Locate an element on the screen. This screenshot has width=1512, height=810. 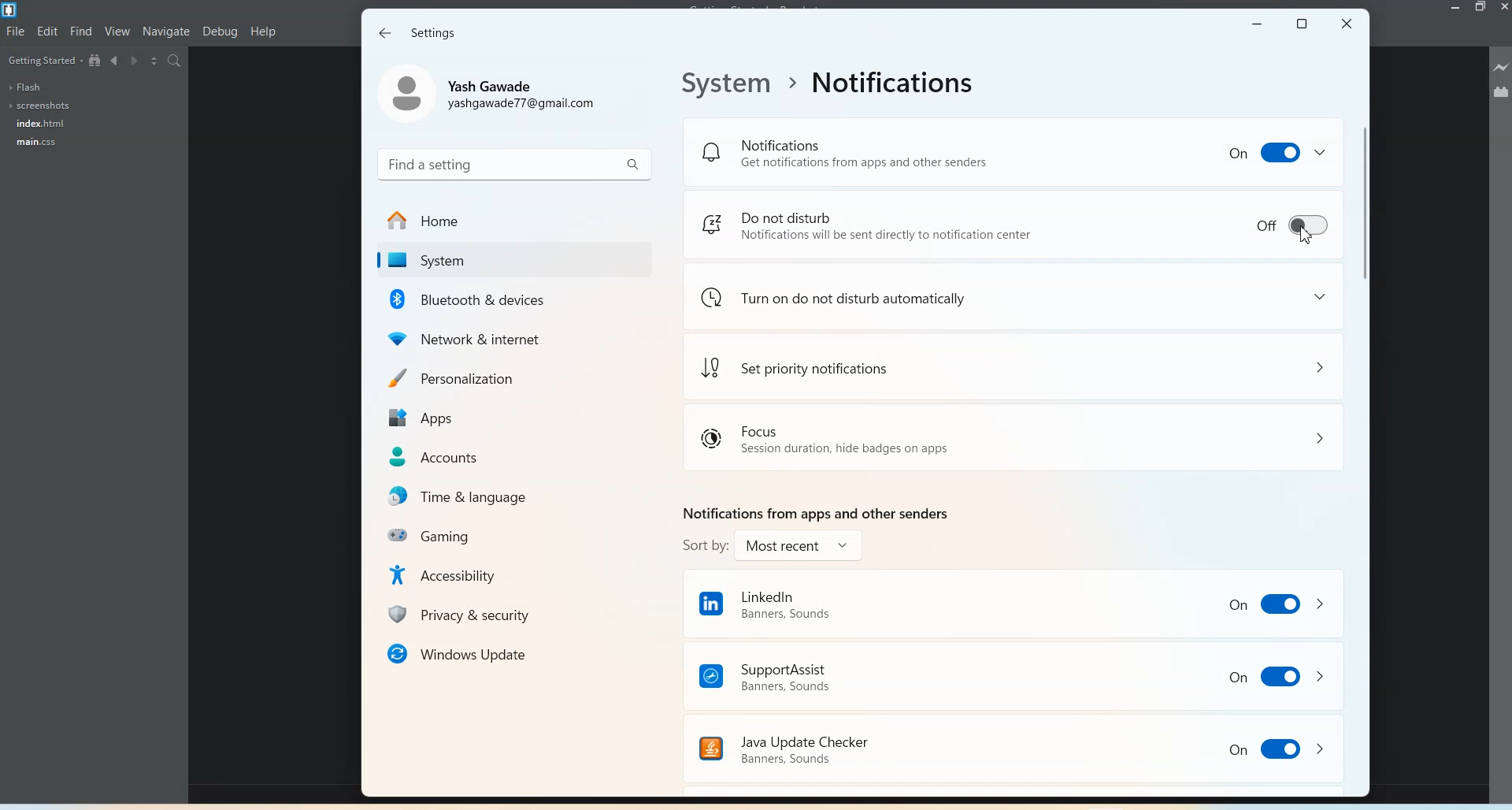
Support Assist is located at coordinates (1013, 674).